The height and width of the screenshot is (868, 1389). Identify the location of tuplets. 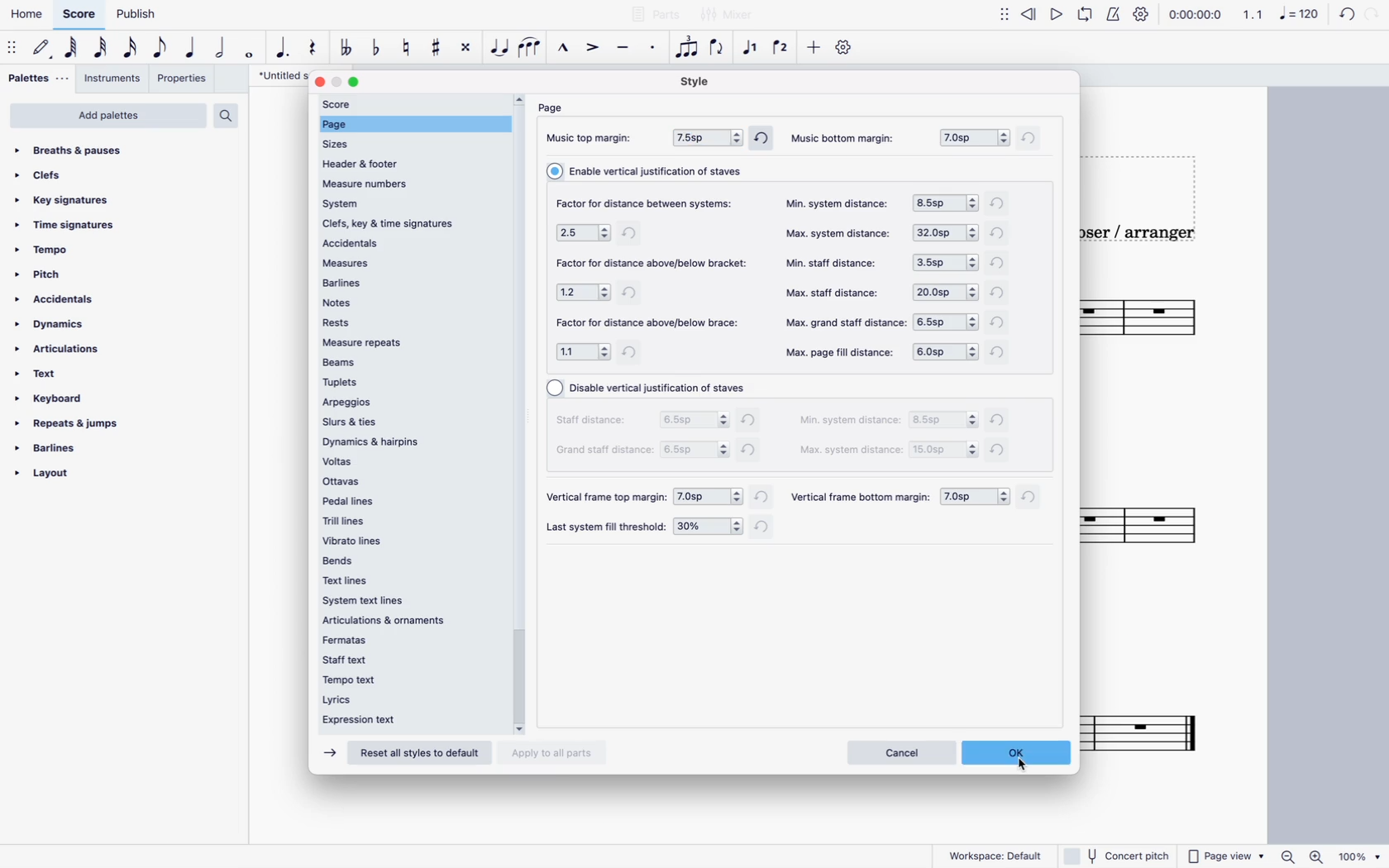
(408, 384).